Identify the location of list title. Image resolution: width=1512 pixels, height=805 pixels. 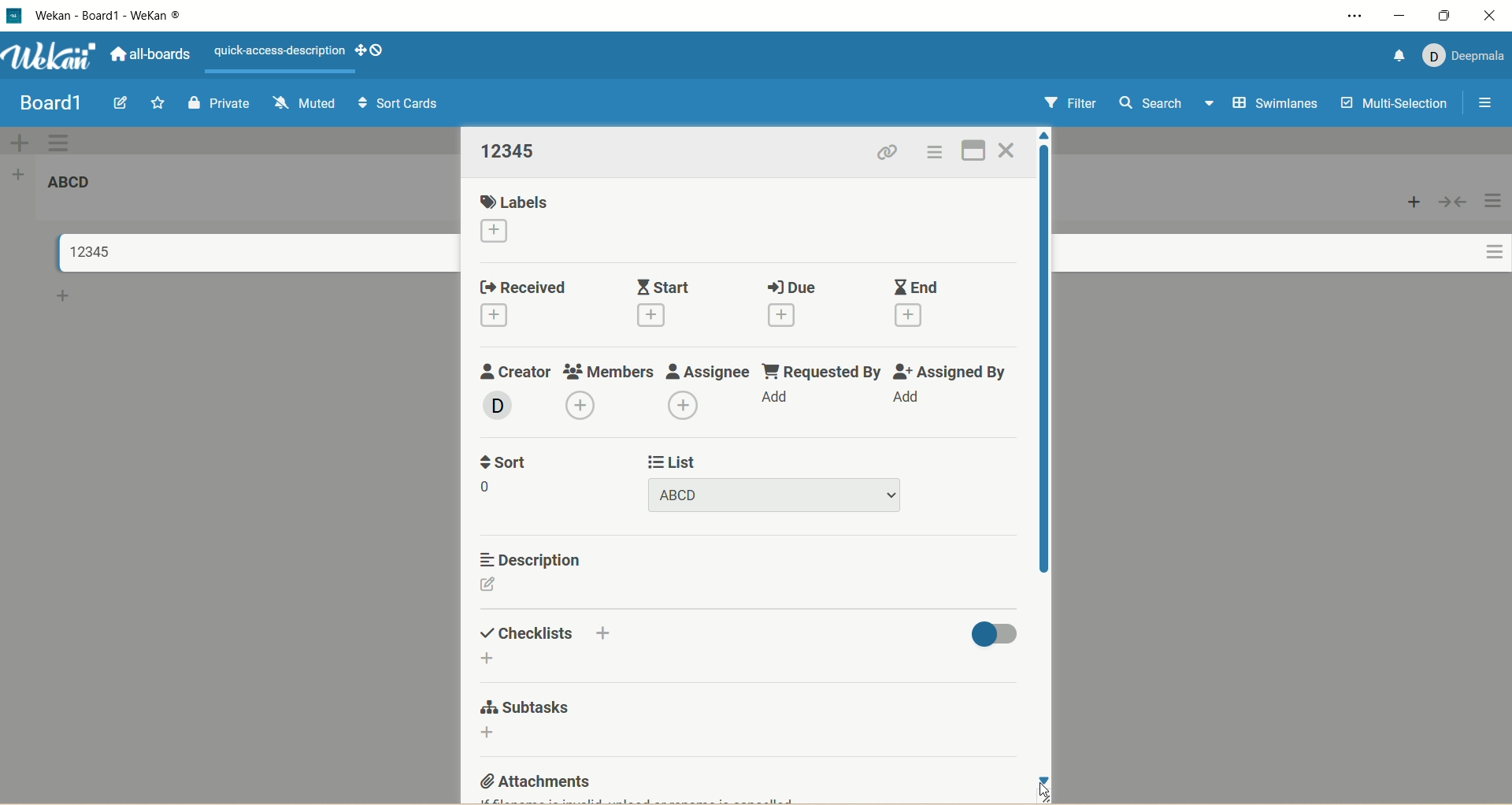
(77, 187).